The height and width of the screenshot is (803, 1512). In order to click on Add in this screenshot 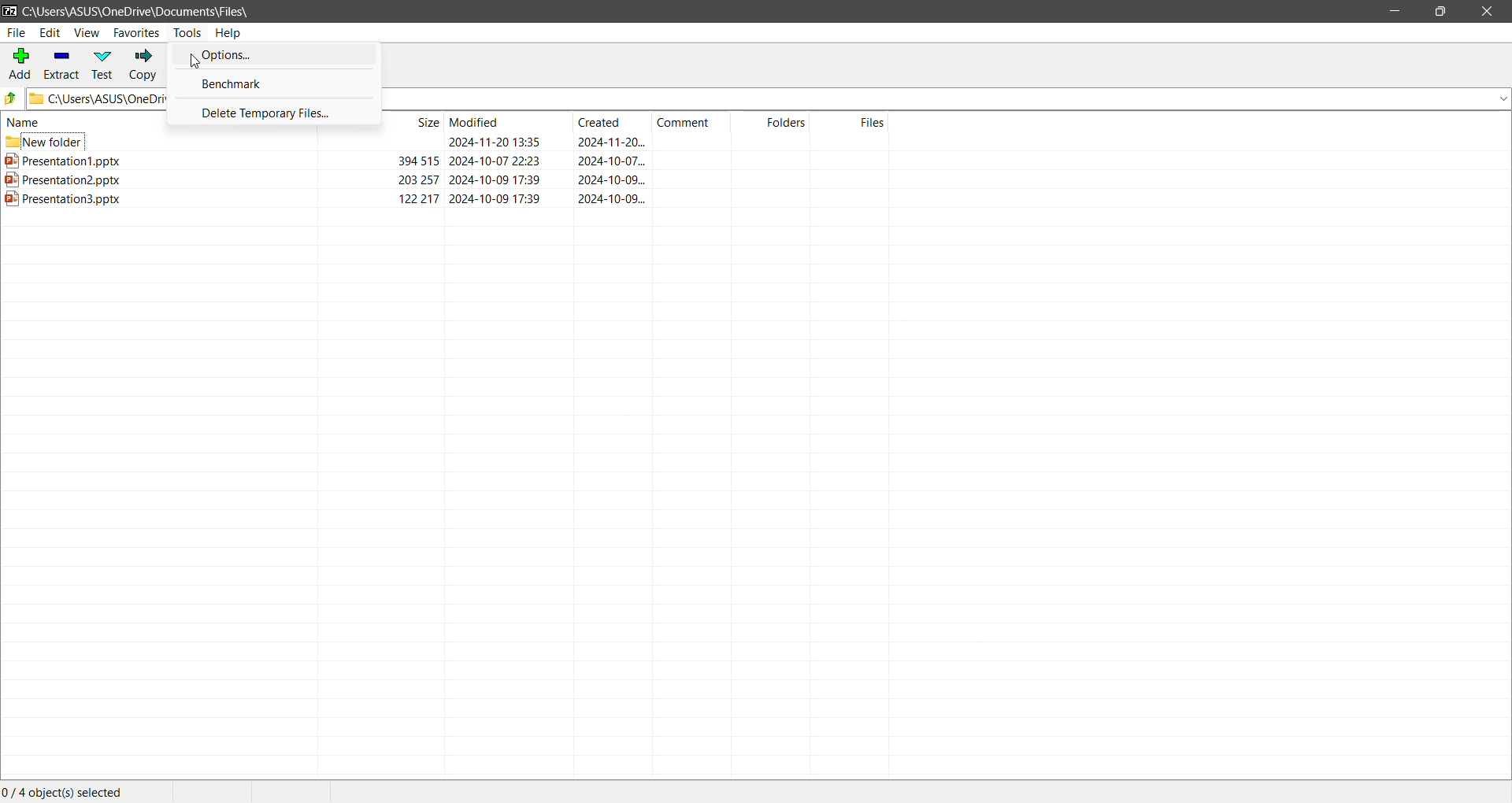, I will do `click(19, 65)`.